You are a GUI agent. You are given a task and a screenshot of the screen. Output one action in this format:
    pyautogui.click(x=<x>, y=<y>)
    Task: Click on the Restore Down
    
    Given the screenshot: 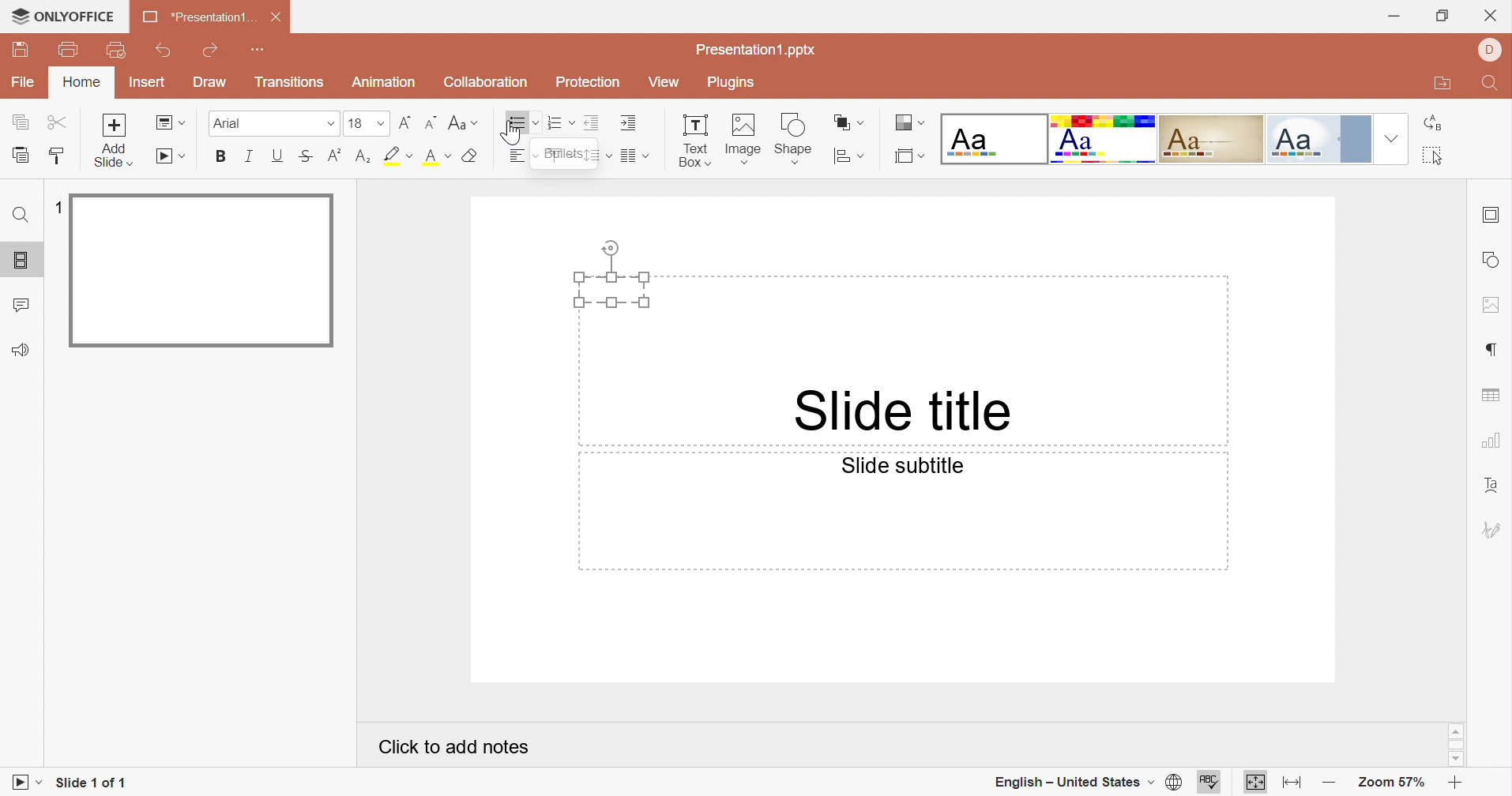 What is the action you would take?
    pyautogui.click(x=1442, y=17)
    